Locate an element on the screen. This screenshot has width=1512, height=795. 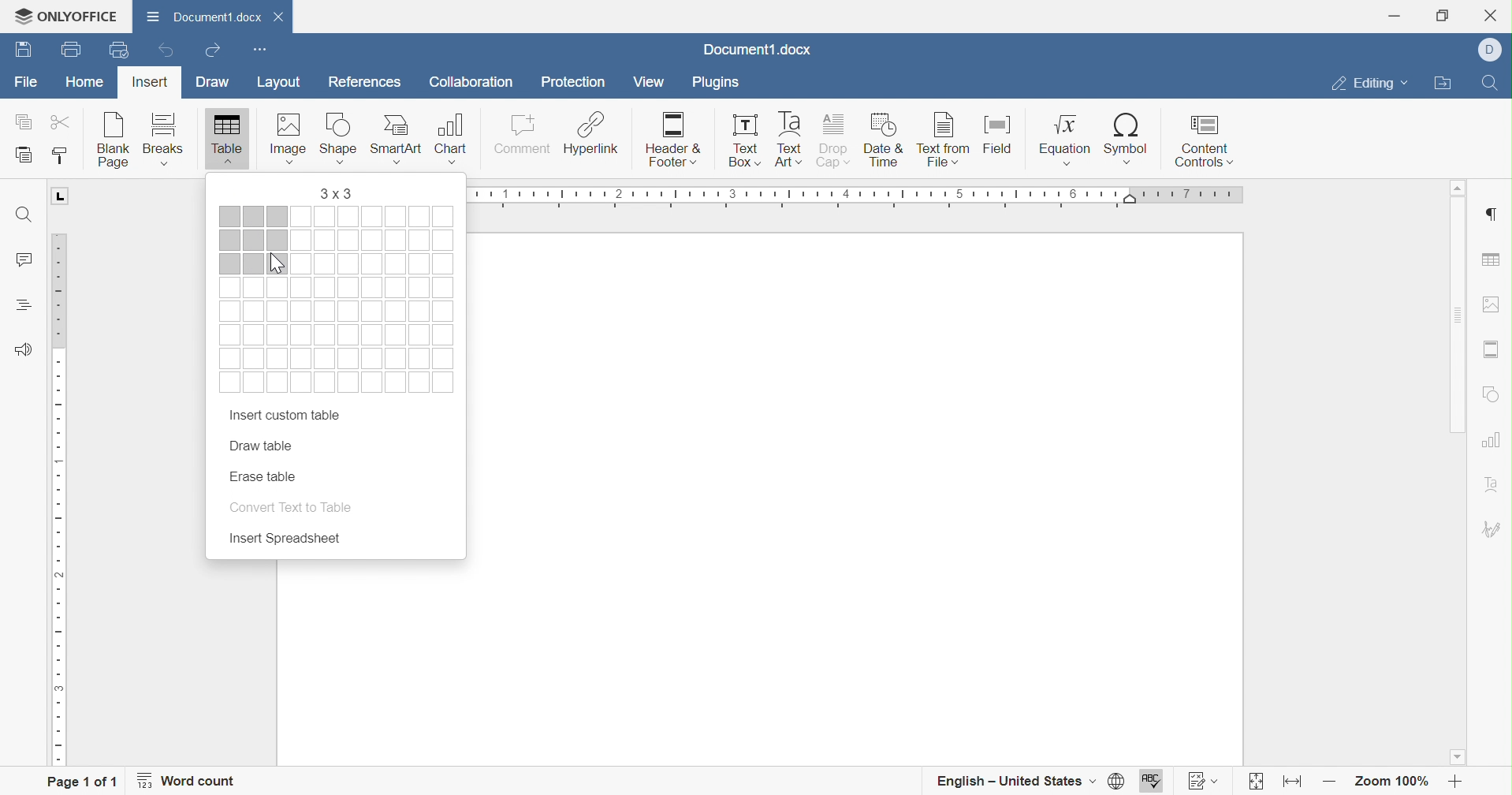
Quick print is located at coordinates (120, 50).